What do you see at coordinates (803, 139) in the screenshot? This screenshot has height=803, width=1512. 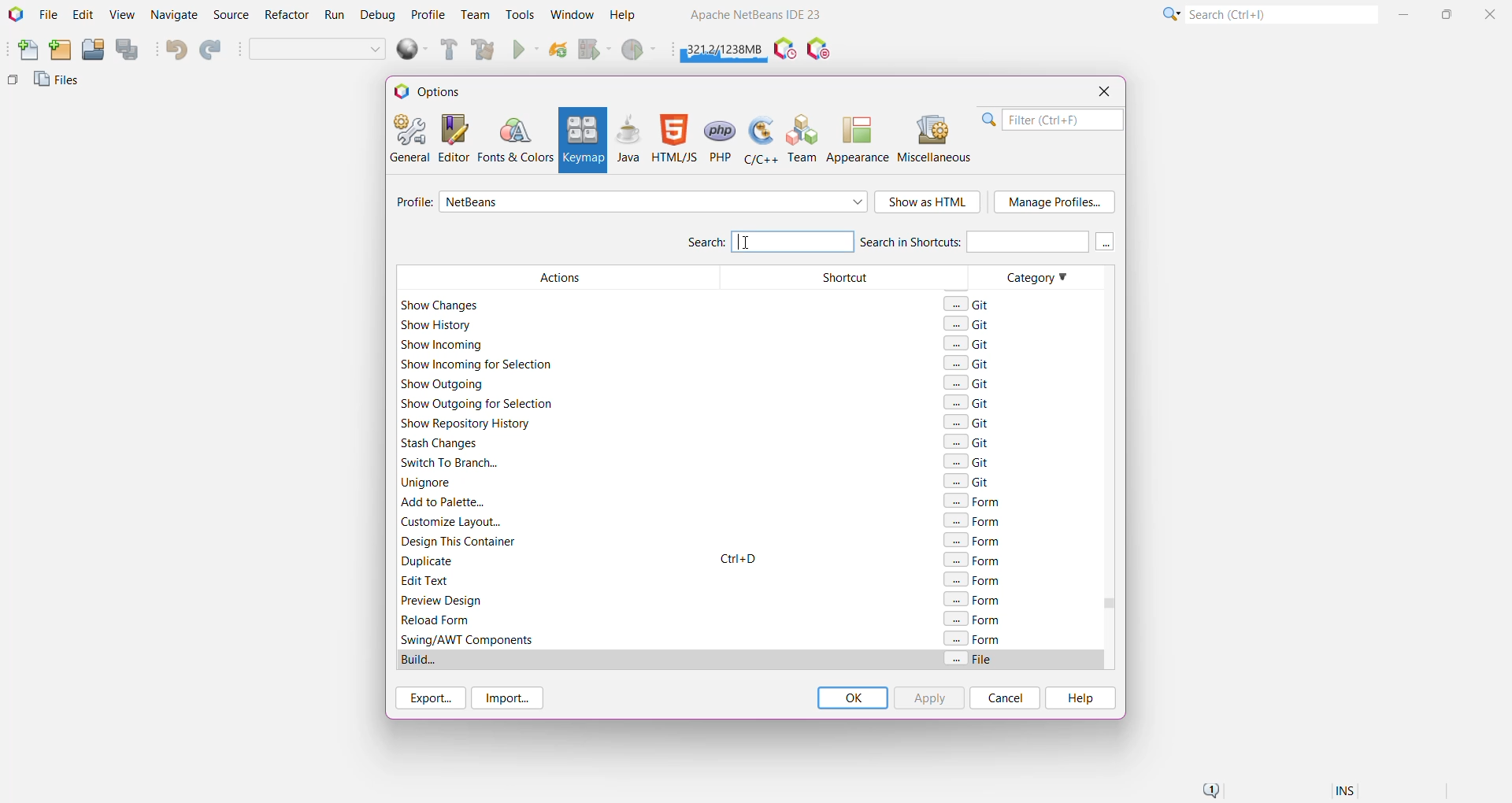 I see `Team` at bounding box center [803, 139].